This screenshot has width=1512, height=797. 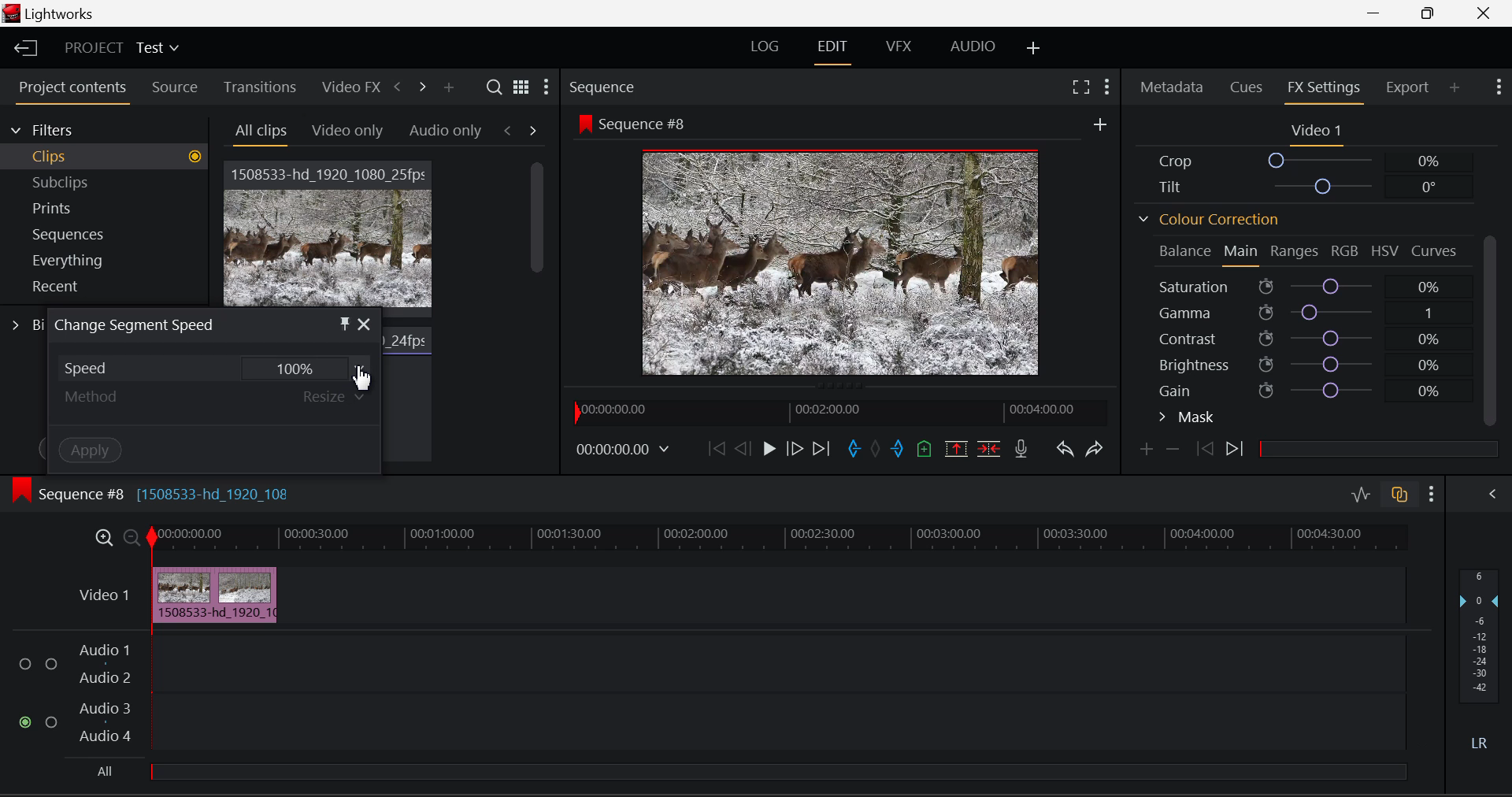 What do you see at coordinates (523, 87) in the screenshot?
I see `Toggle between list and title view` at bounding box center [523, 87].